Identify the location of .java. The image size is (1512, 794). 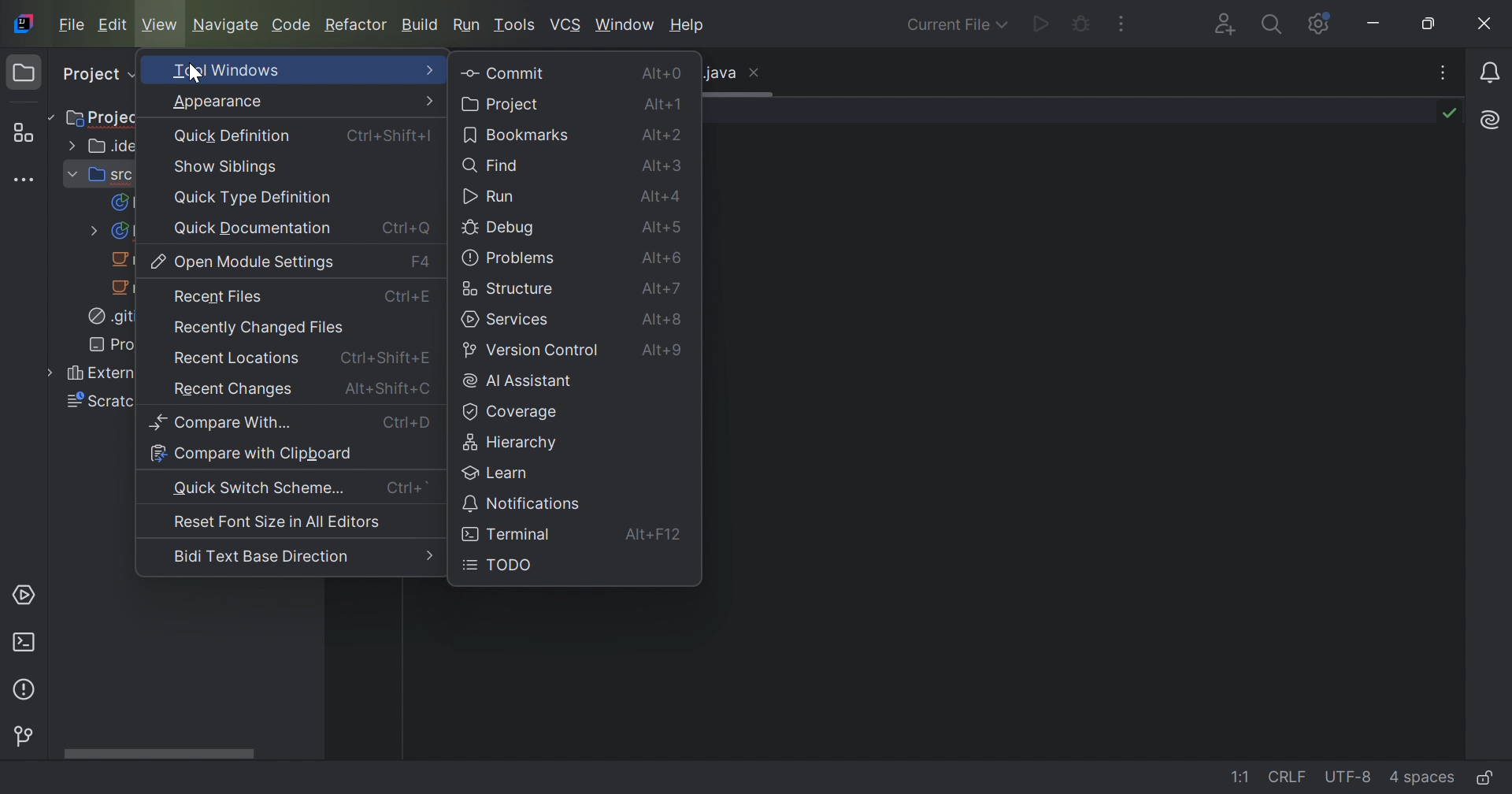
(719, 73).